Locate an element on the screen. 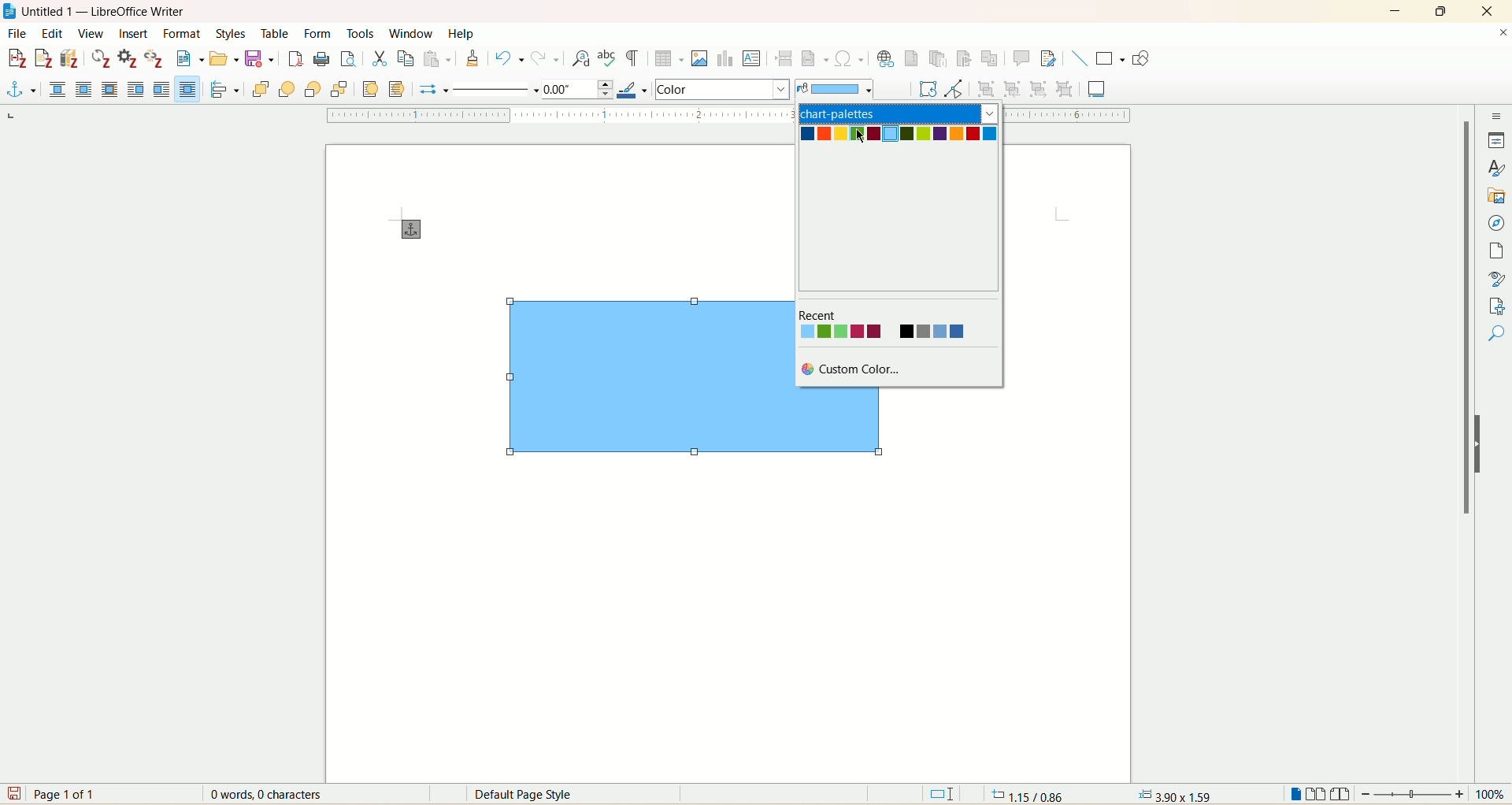  custom color is located at coordinates (856, 367).